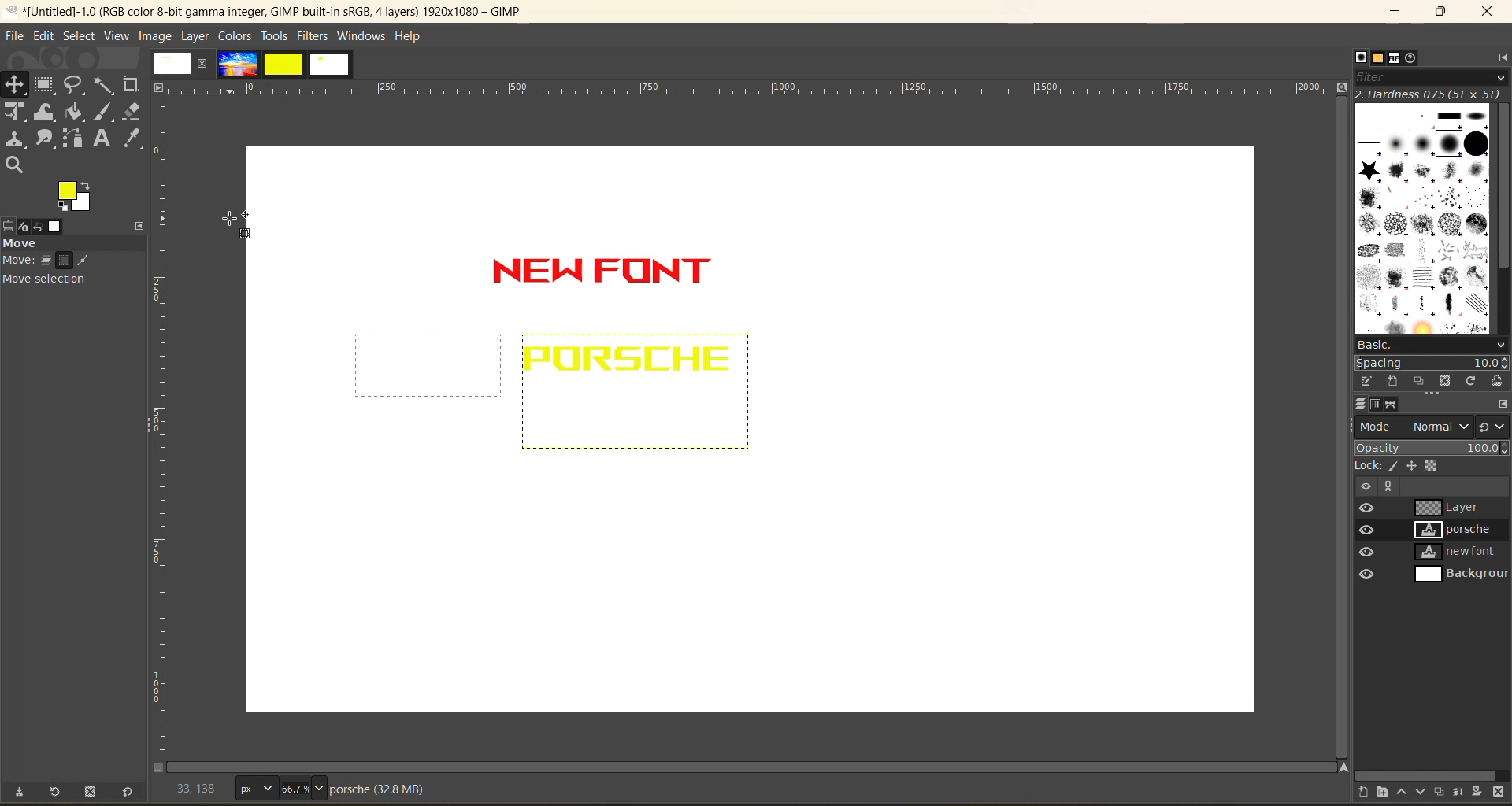  I want to click on position, so click(15, 85).